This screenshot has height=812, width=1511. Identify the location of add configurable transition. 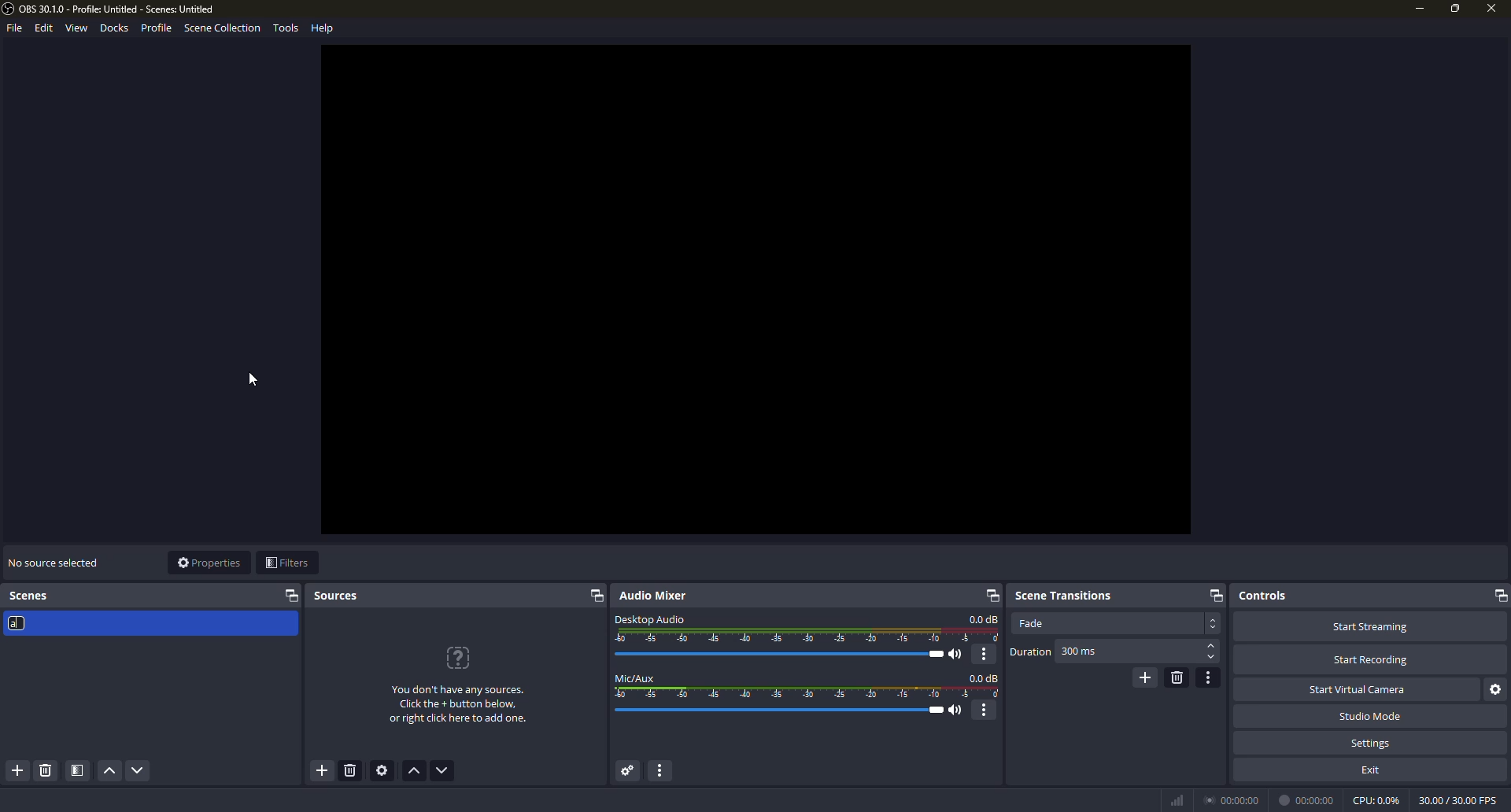
(1143, 677).